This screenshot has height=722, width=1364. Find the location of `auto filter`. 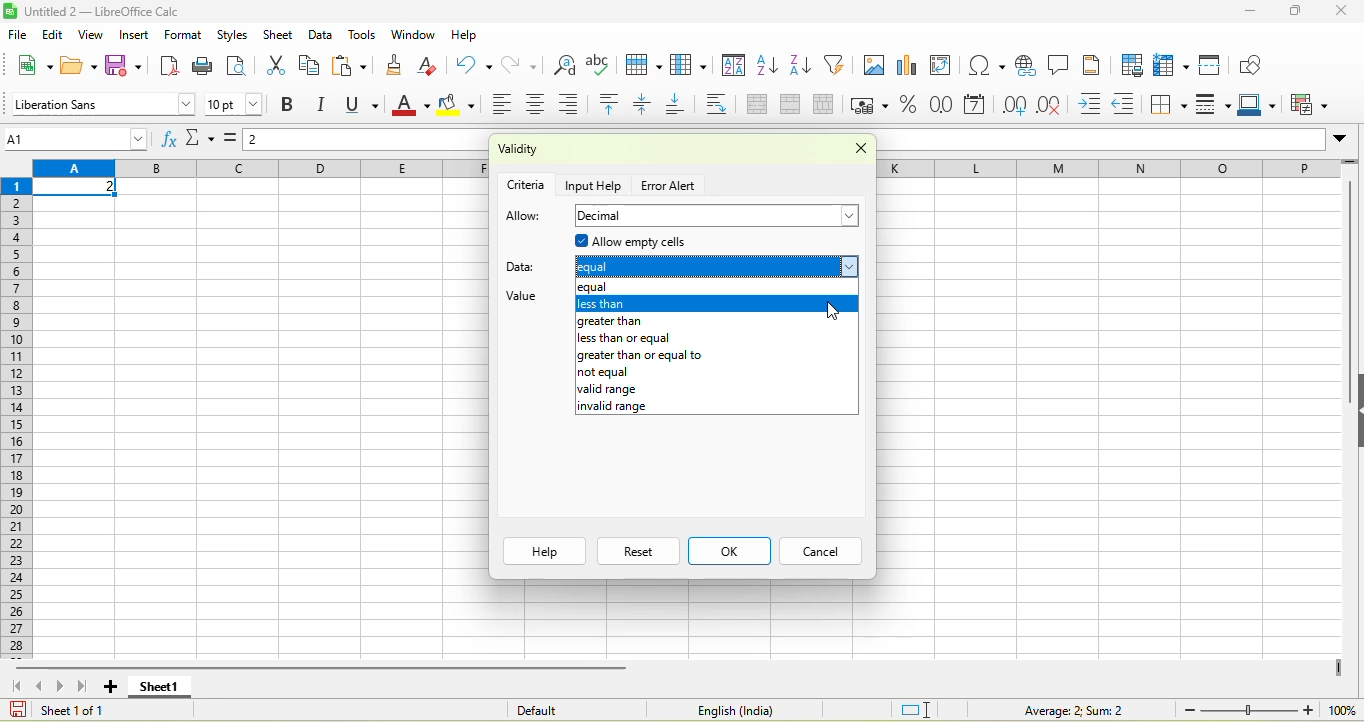

auto filter is located at coordinates (838, 64).